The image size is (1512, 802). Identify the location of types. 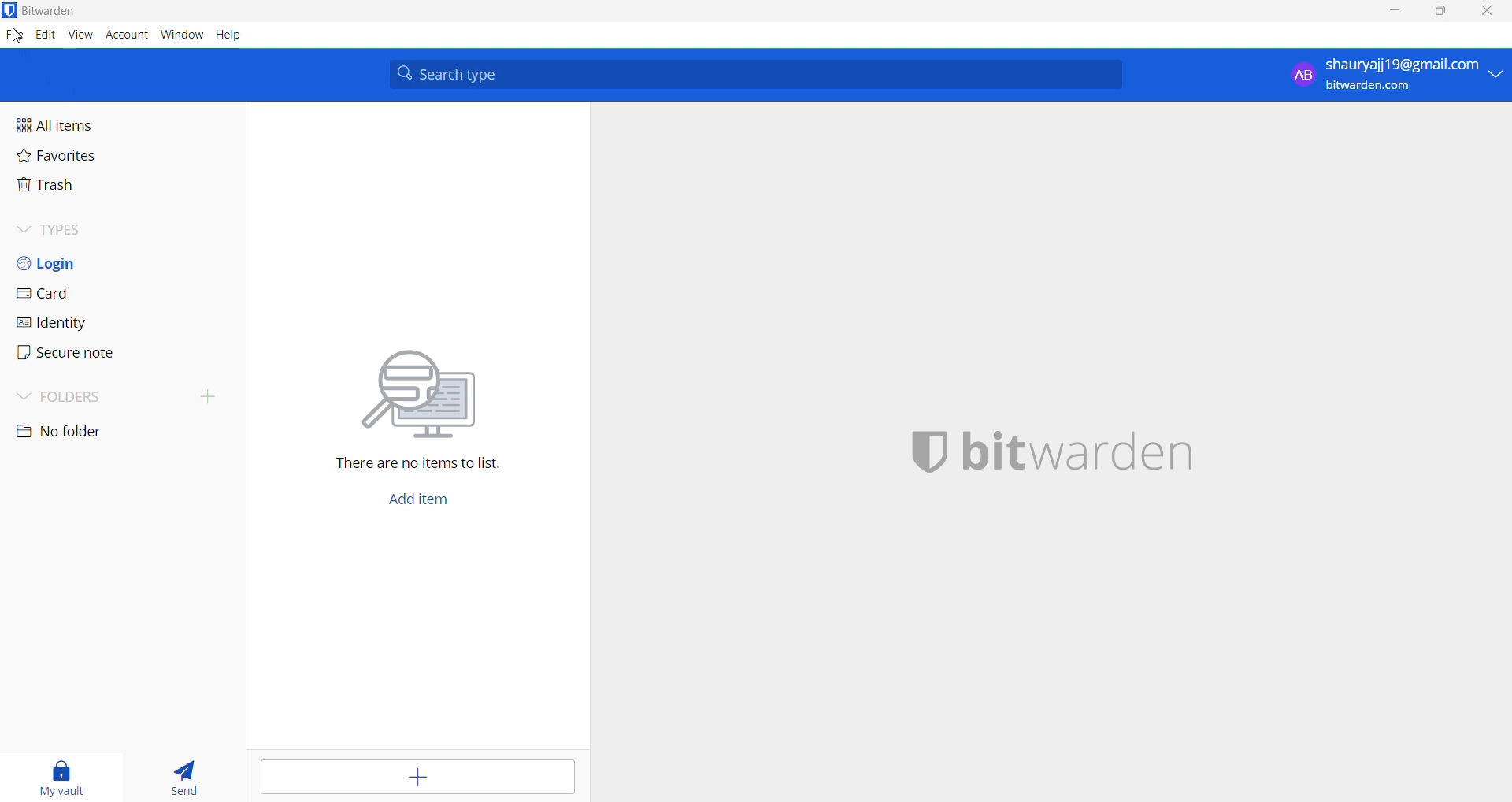
(98, 228).